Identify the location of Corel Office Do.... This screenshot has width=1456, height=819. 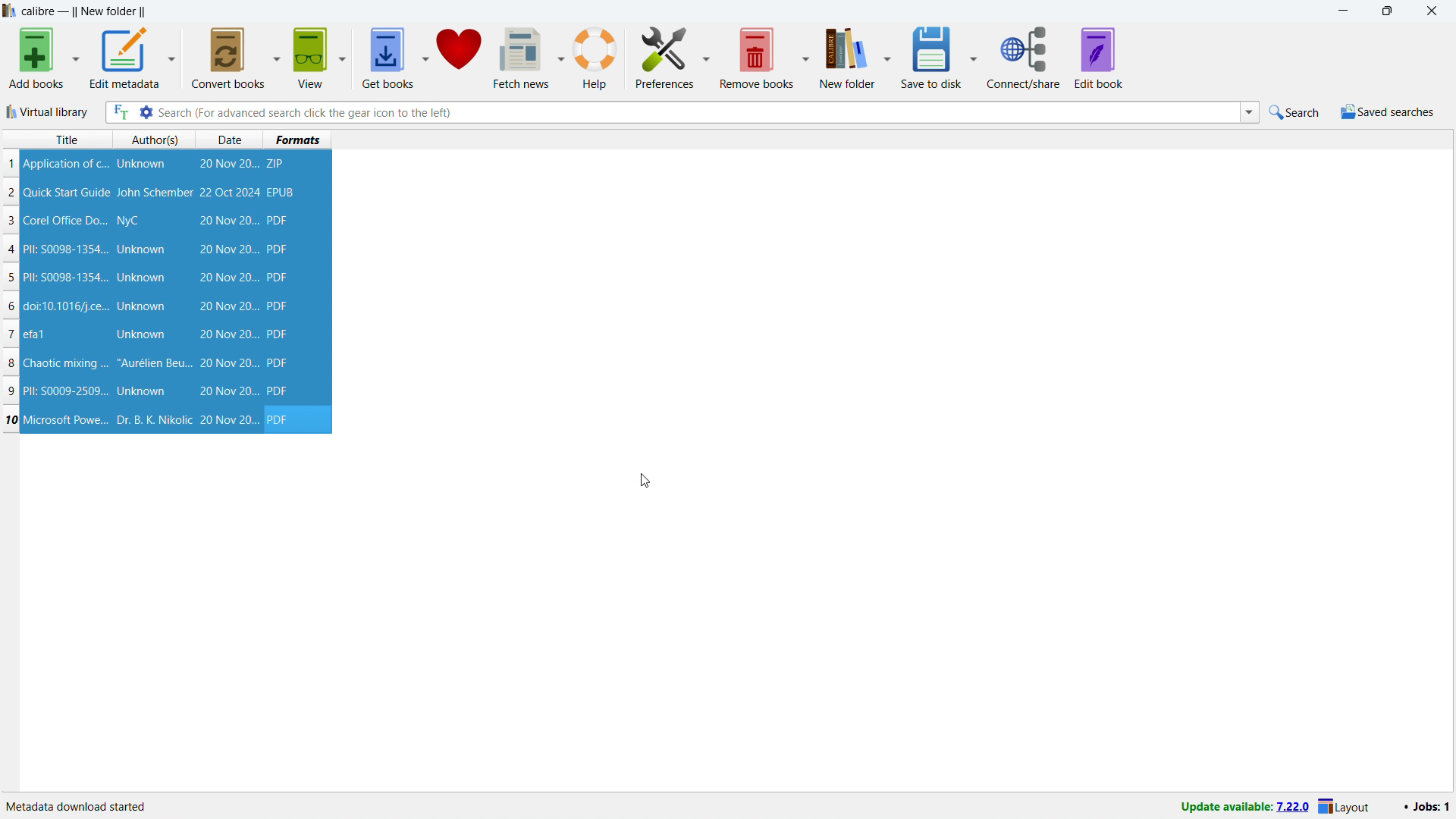
(66, 220).